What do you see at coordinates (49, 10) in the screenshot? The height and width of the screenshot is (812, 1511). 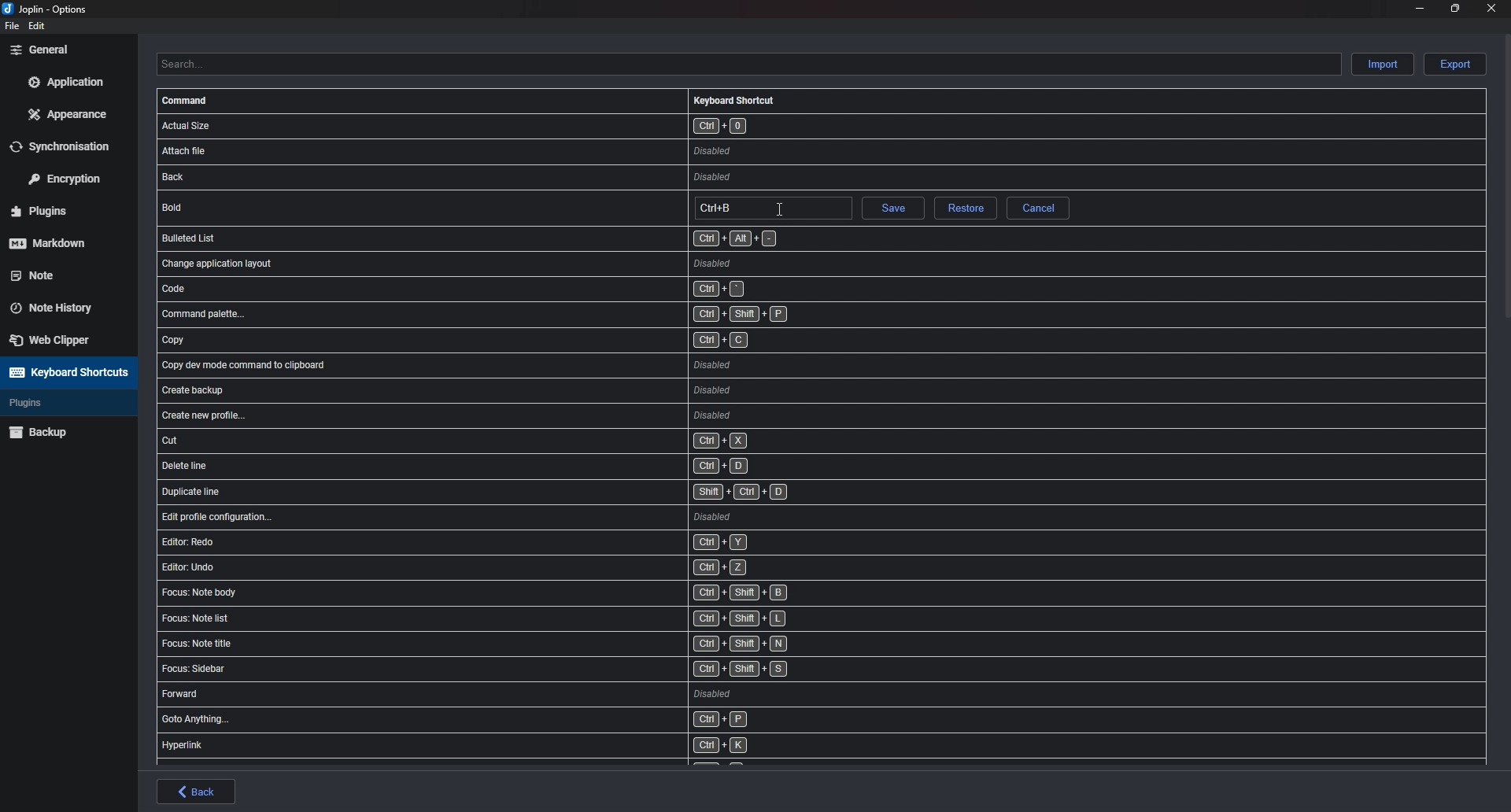 I see `options` at bounding box center [49, 10].